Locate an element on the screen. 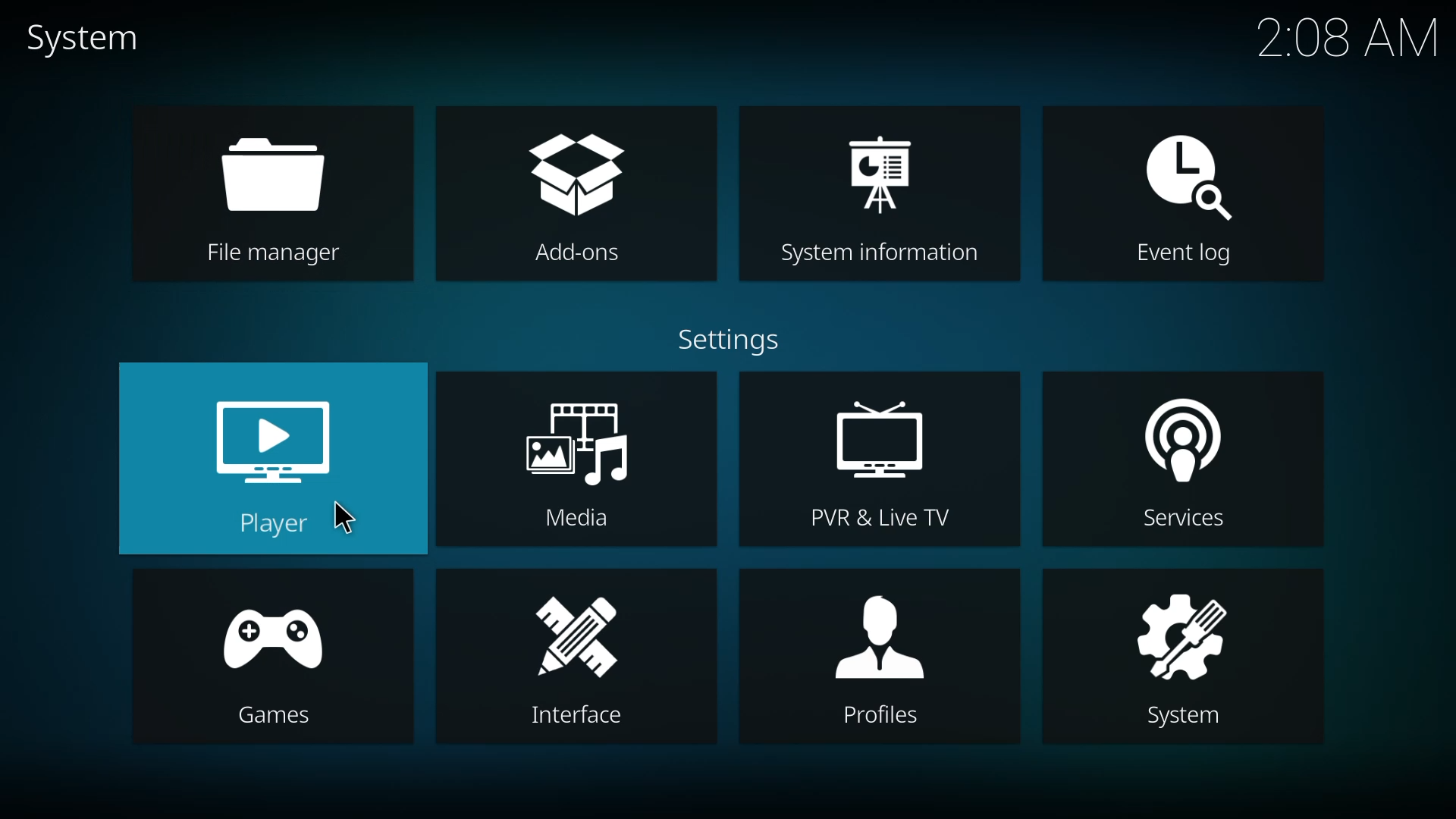  settings is located at coordinates (736, 338).